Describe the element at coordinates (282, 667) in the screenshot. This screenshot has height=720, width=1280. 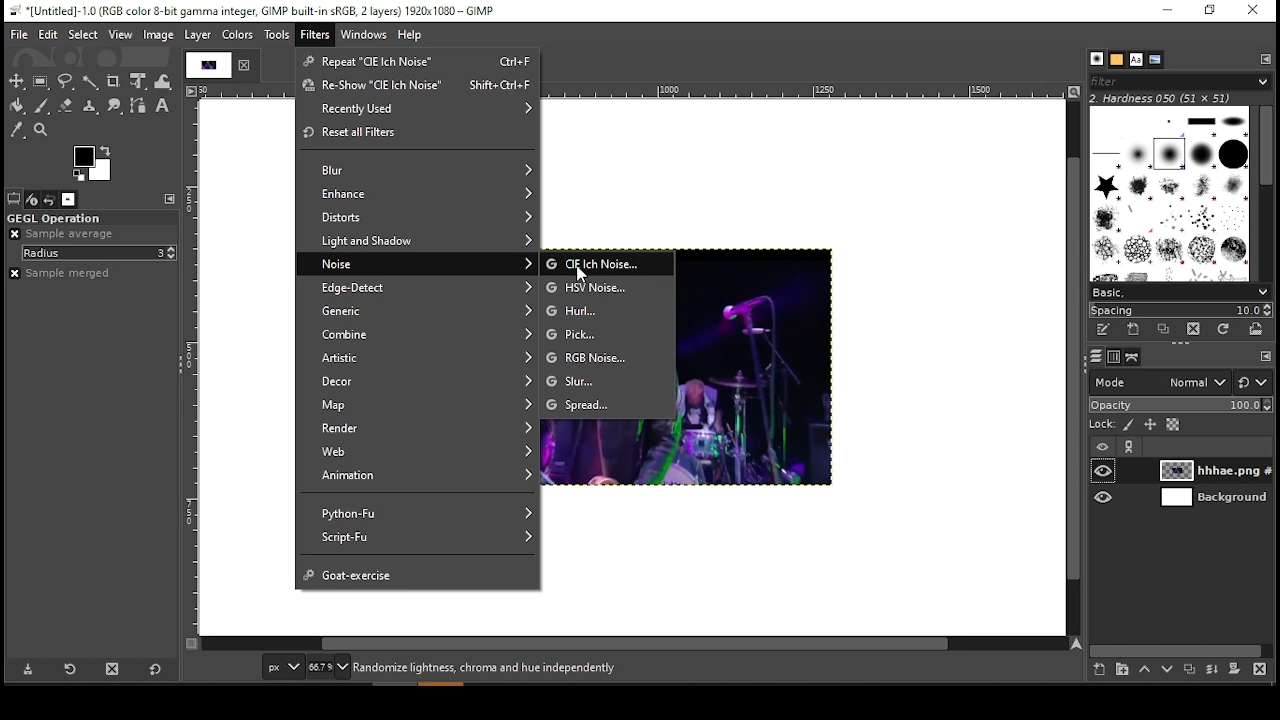
I see `units` at that location.